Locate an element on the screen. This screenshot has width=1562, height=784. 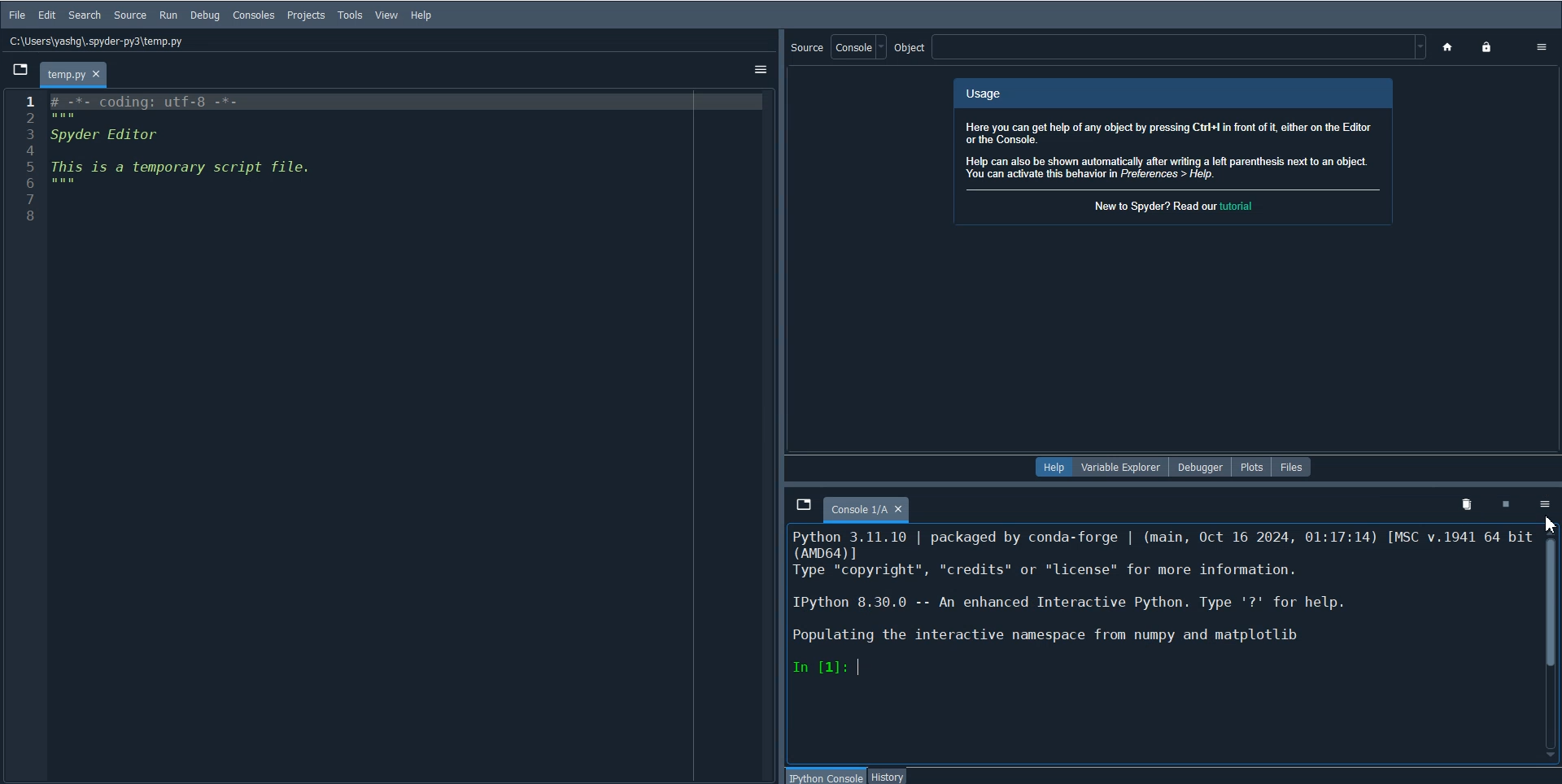
temp.py is located at coordinates (73, 75).